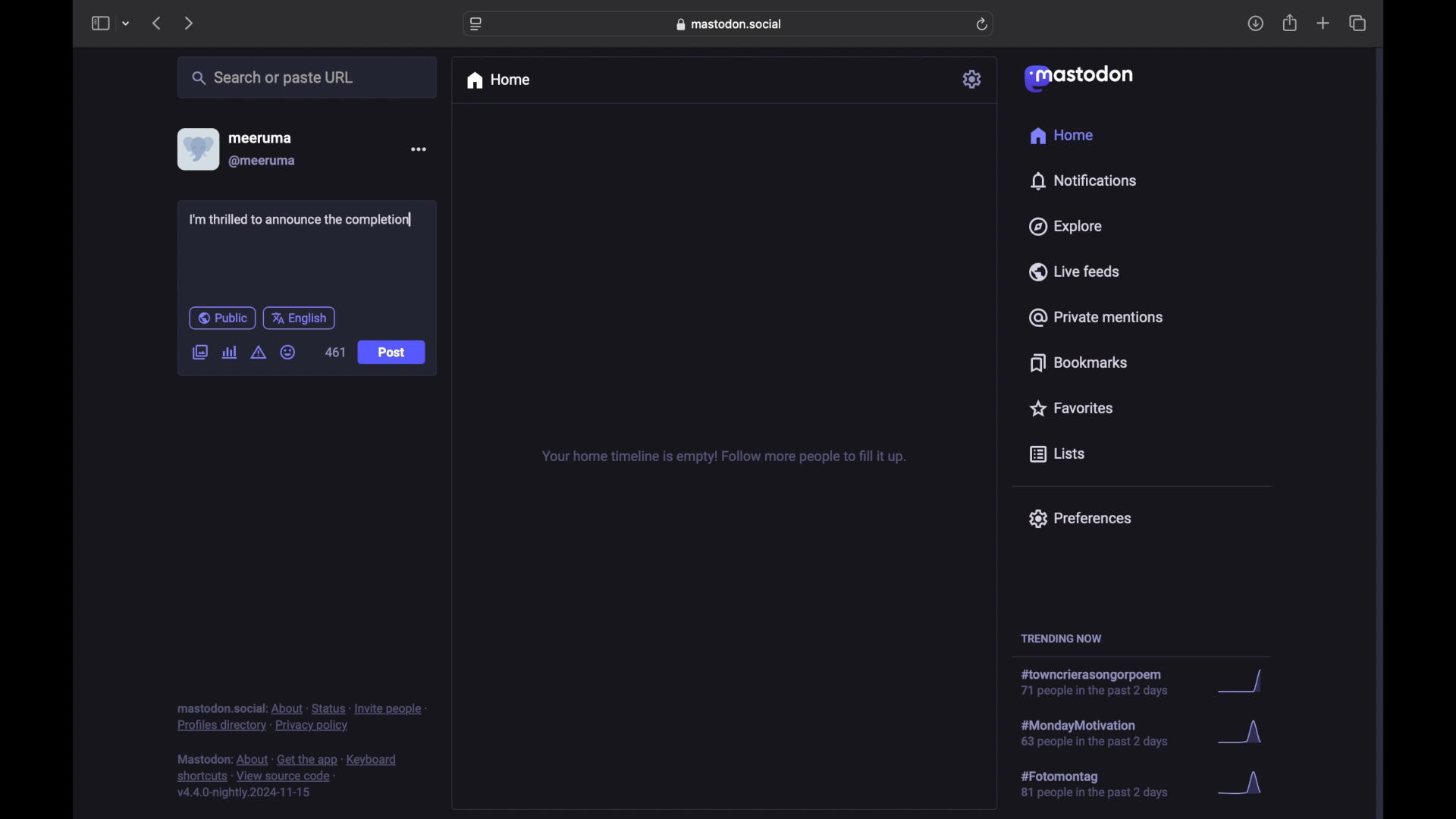 The height and width of the screenshot is (819, 1456). I want to click on add content warning, so click(260, 353).